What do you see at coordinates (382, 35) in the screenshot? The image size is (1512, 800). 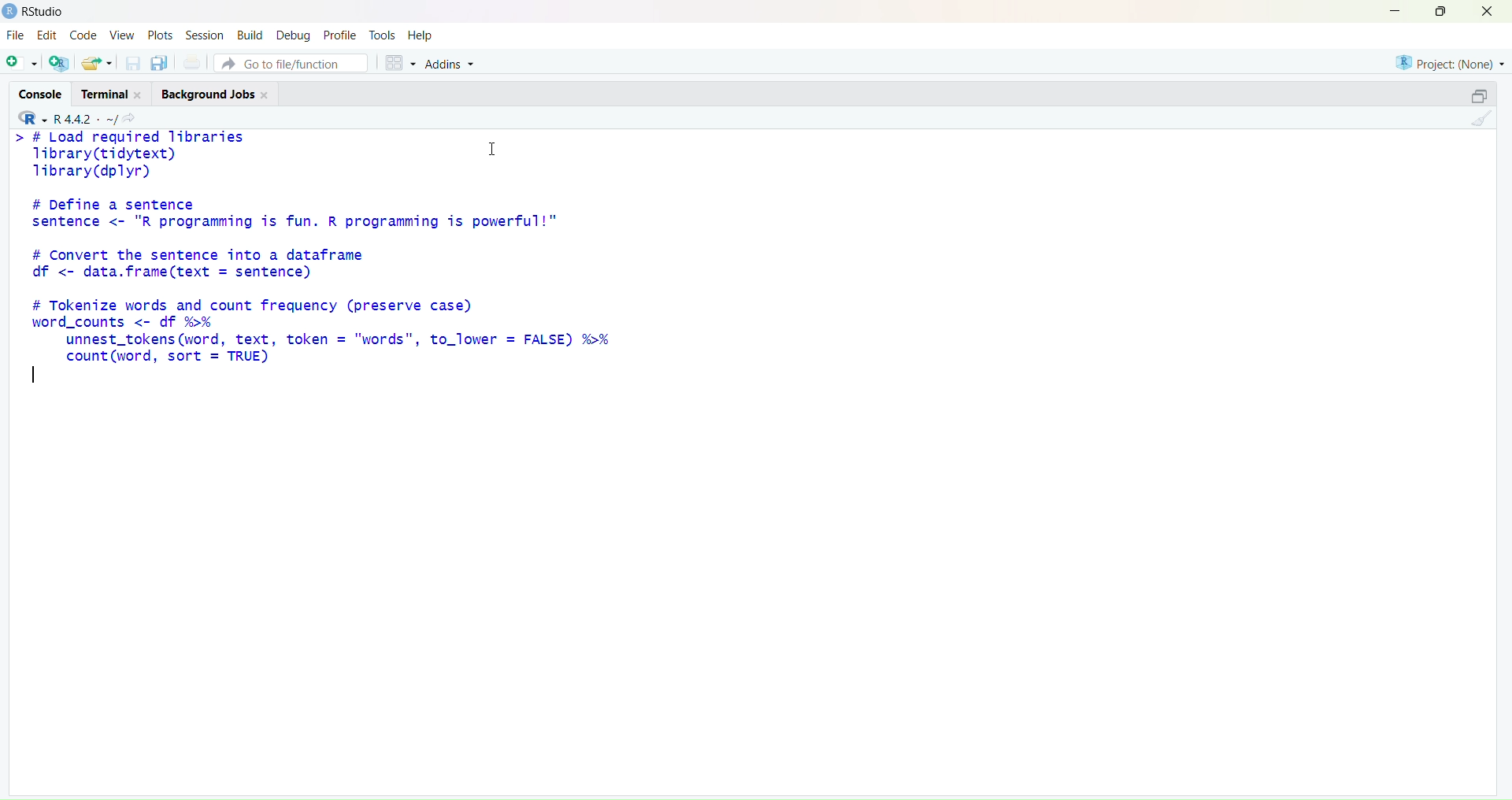 I see `tools` at bounding box center [382, 35].